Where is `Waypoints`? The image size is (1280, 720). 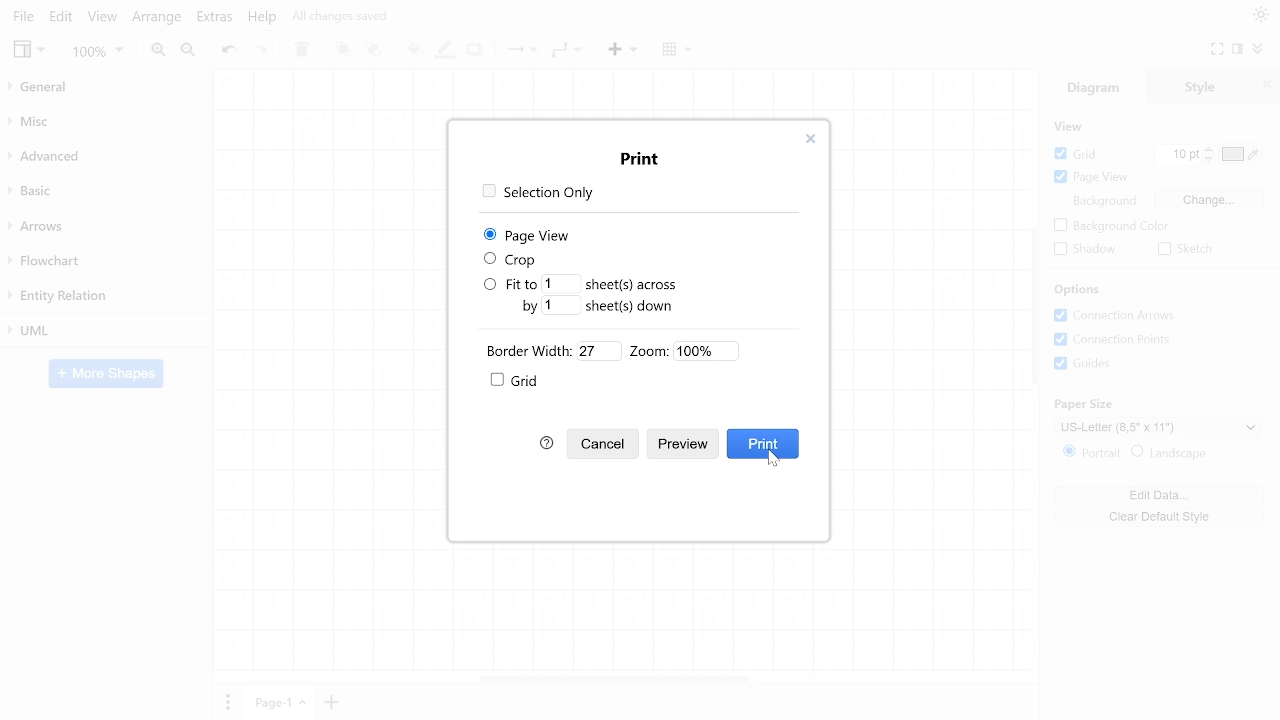 Waypoints is located at coordinates (567, 51).